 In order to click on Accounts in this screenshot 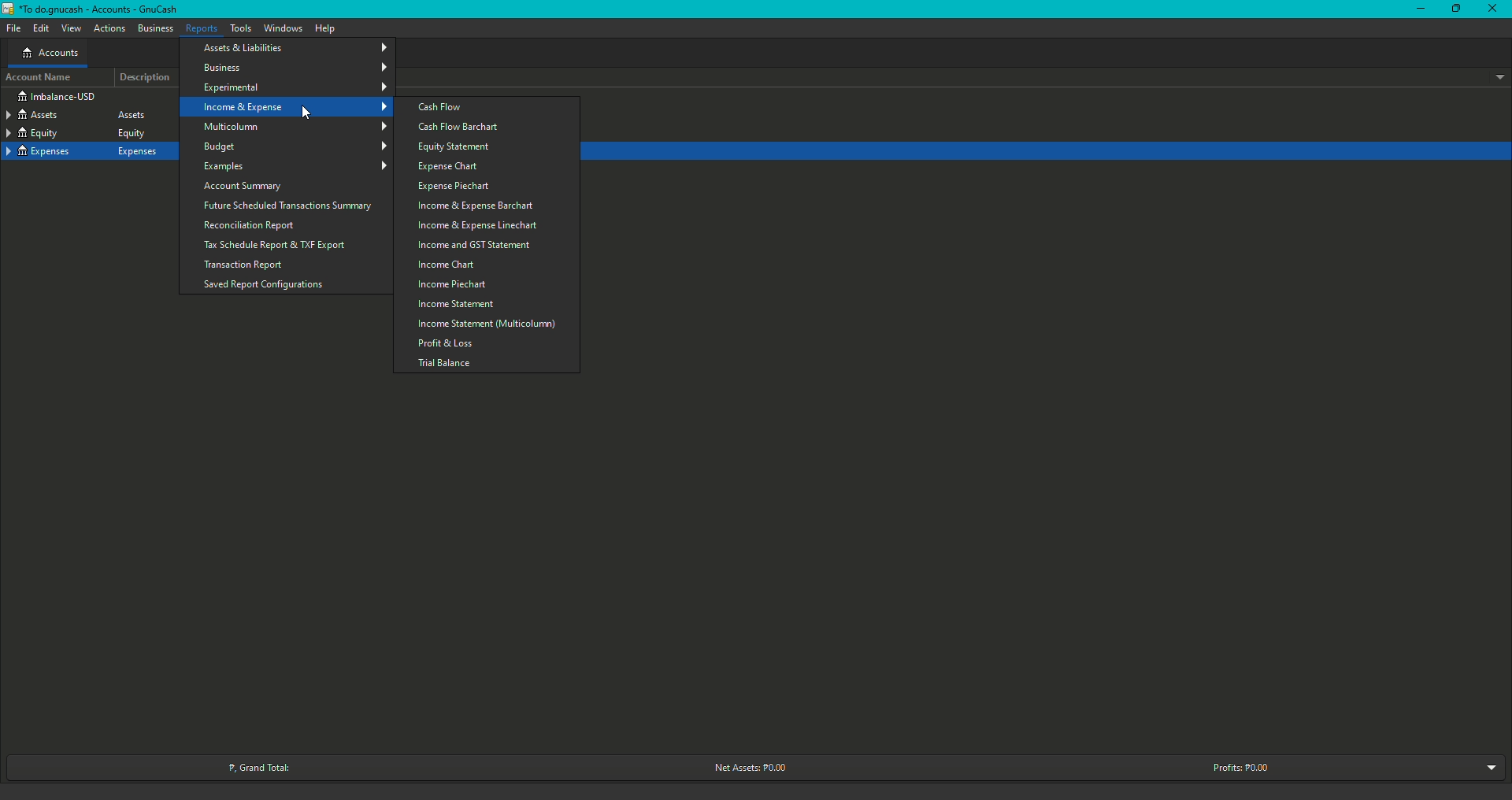, I will do `click(49, 54)`.